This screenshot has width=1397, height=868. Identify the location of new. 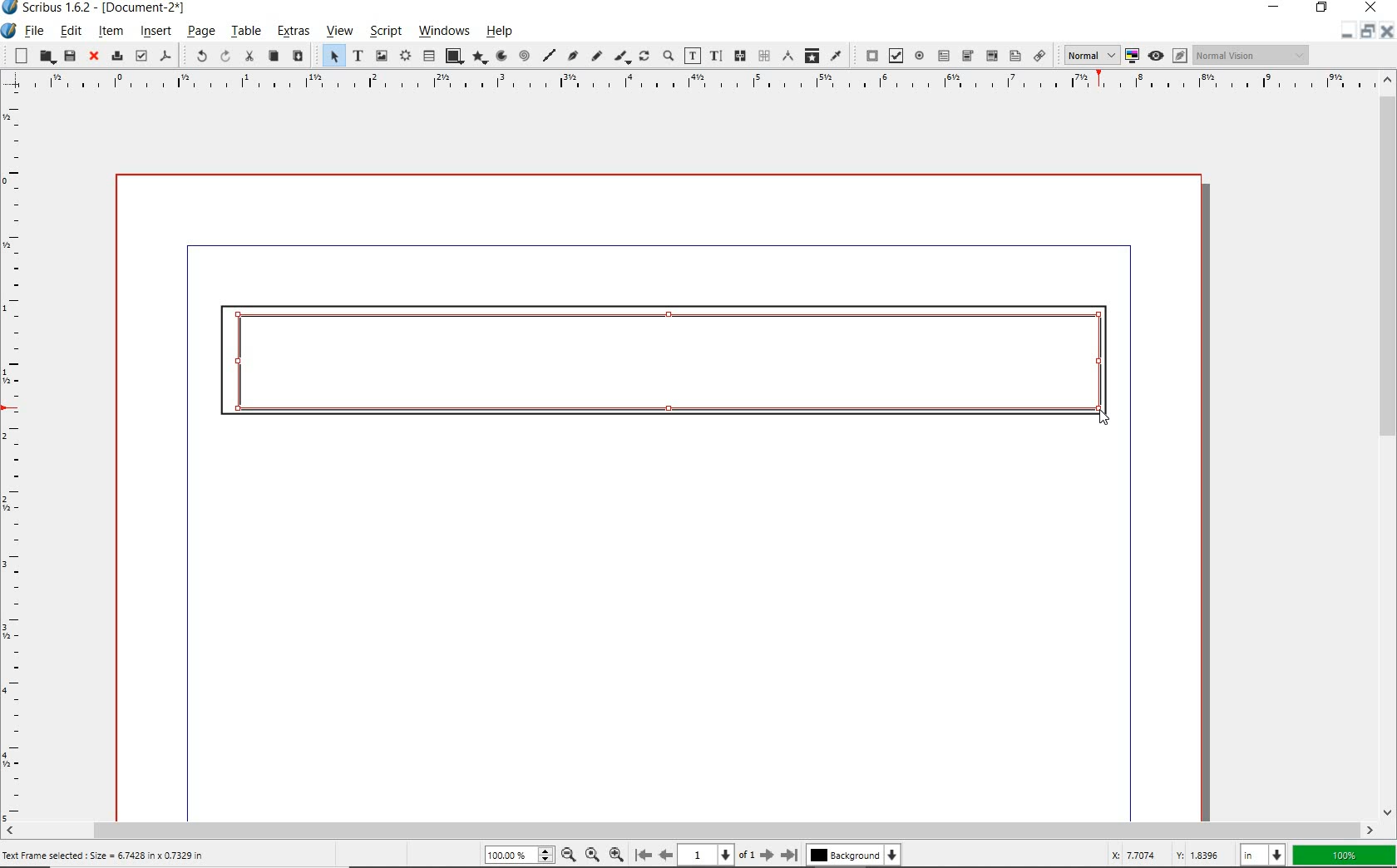
(17, 55).